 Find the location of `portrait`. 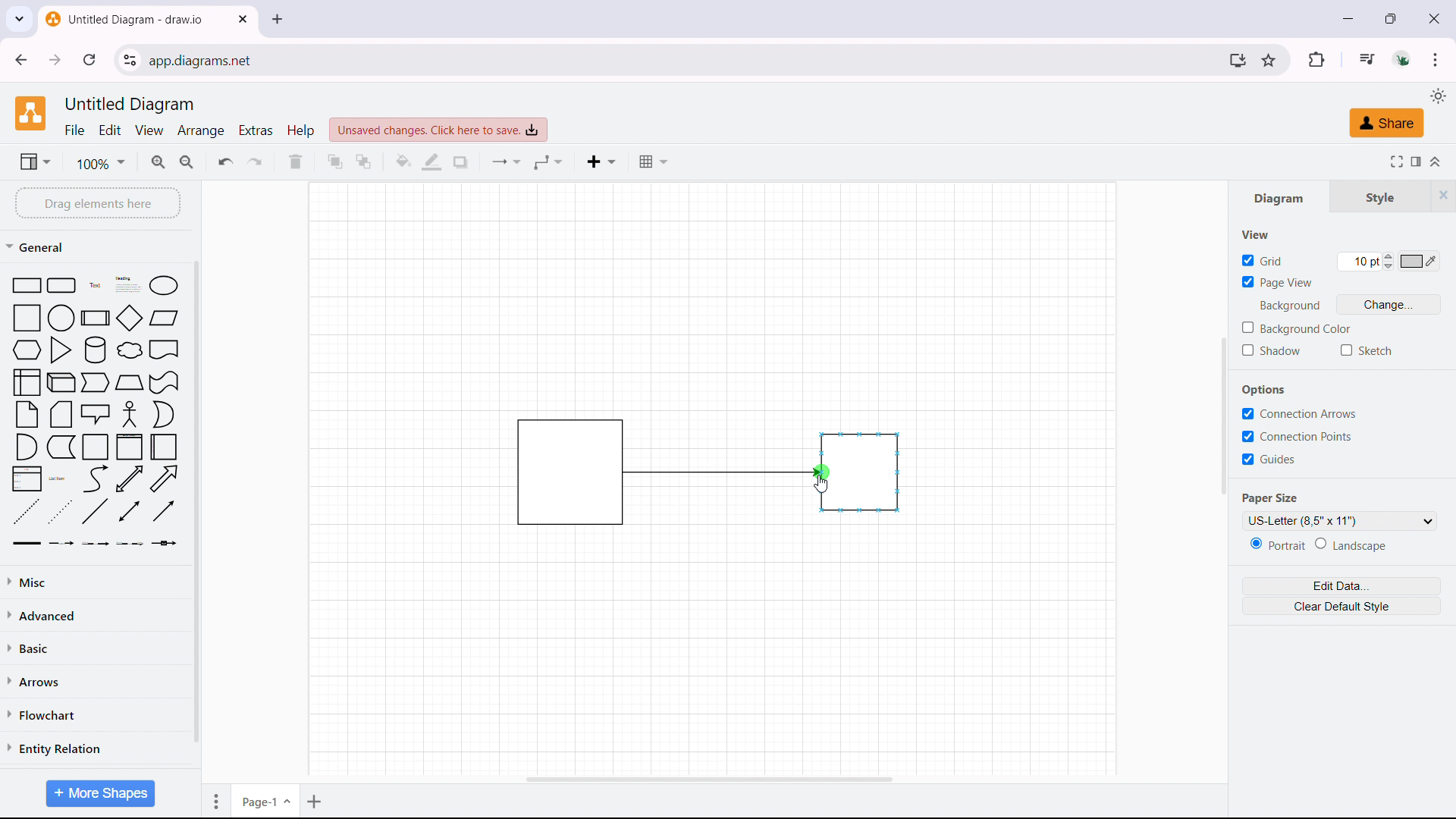

portrait is located at coordinates (1276, 544).